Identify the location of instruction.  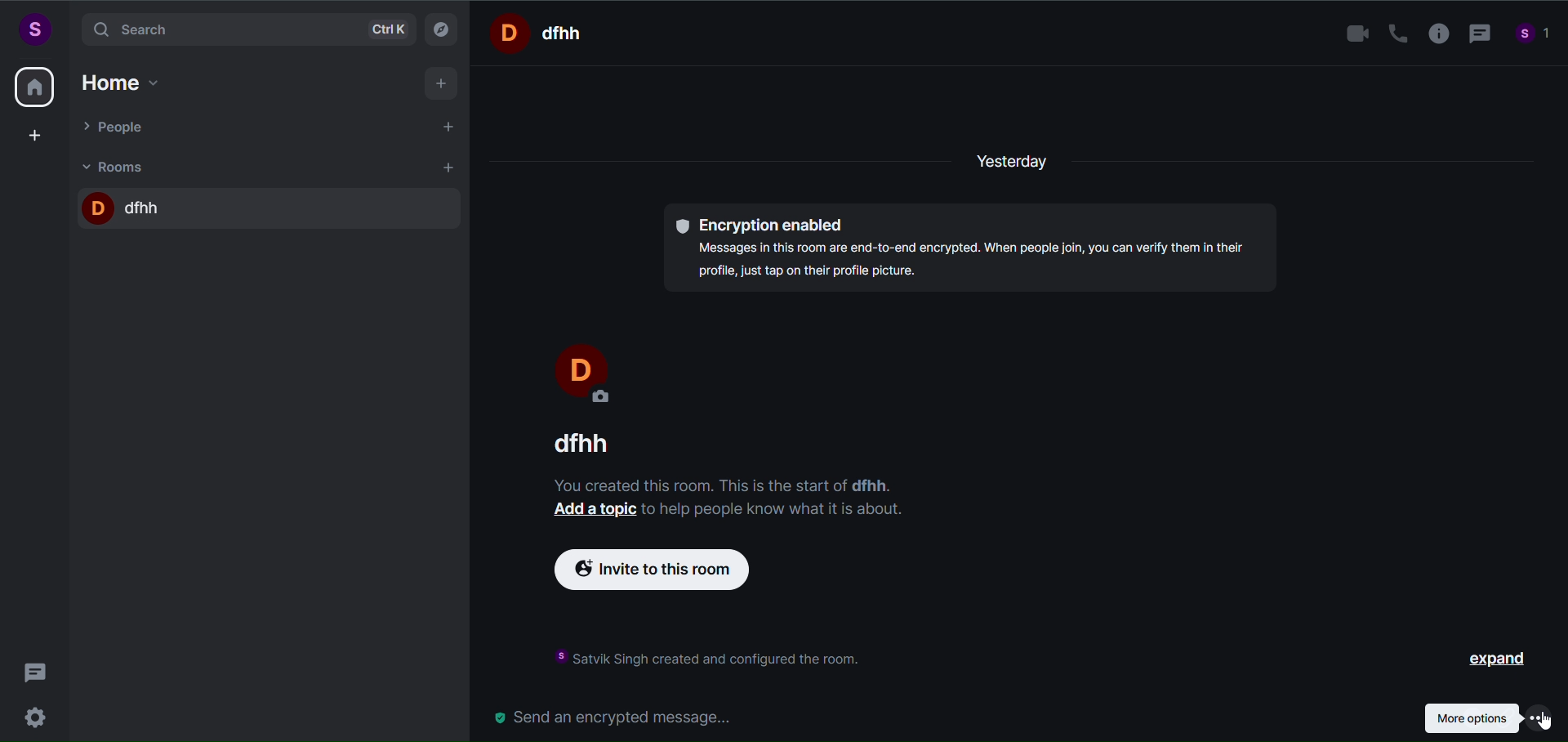
(719, 655).